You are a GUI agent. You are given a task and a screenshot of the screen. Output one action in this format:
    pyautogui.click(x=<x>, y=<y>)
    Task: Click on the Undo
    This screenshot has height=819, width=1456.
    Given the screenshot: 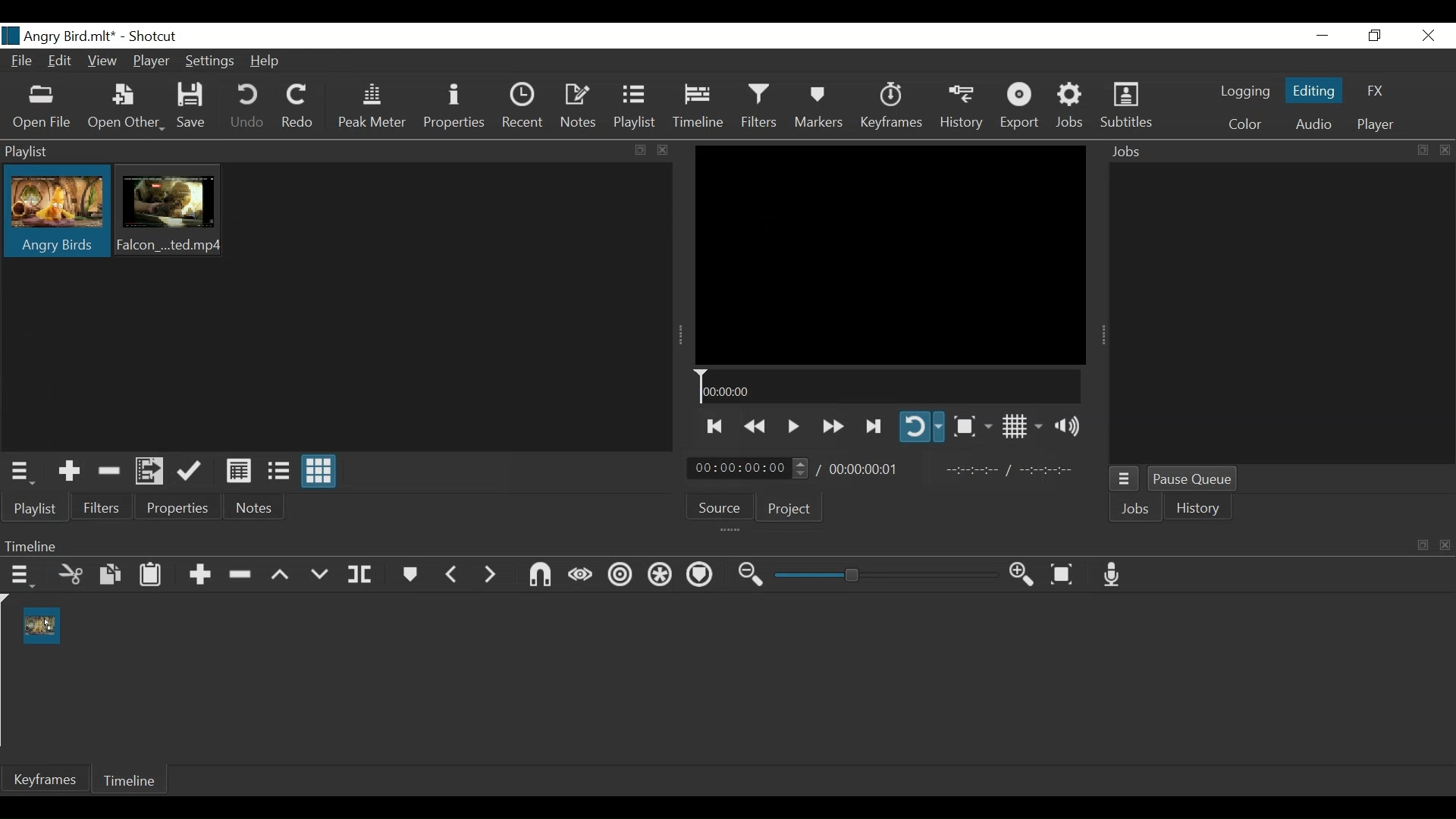 What is the action you would take?
    pyautogui.click(x=249, y=108)
    